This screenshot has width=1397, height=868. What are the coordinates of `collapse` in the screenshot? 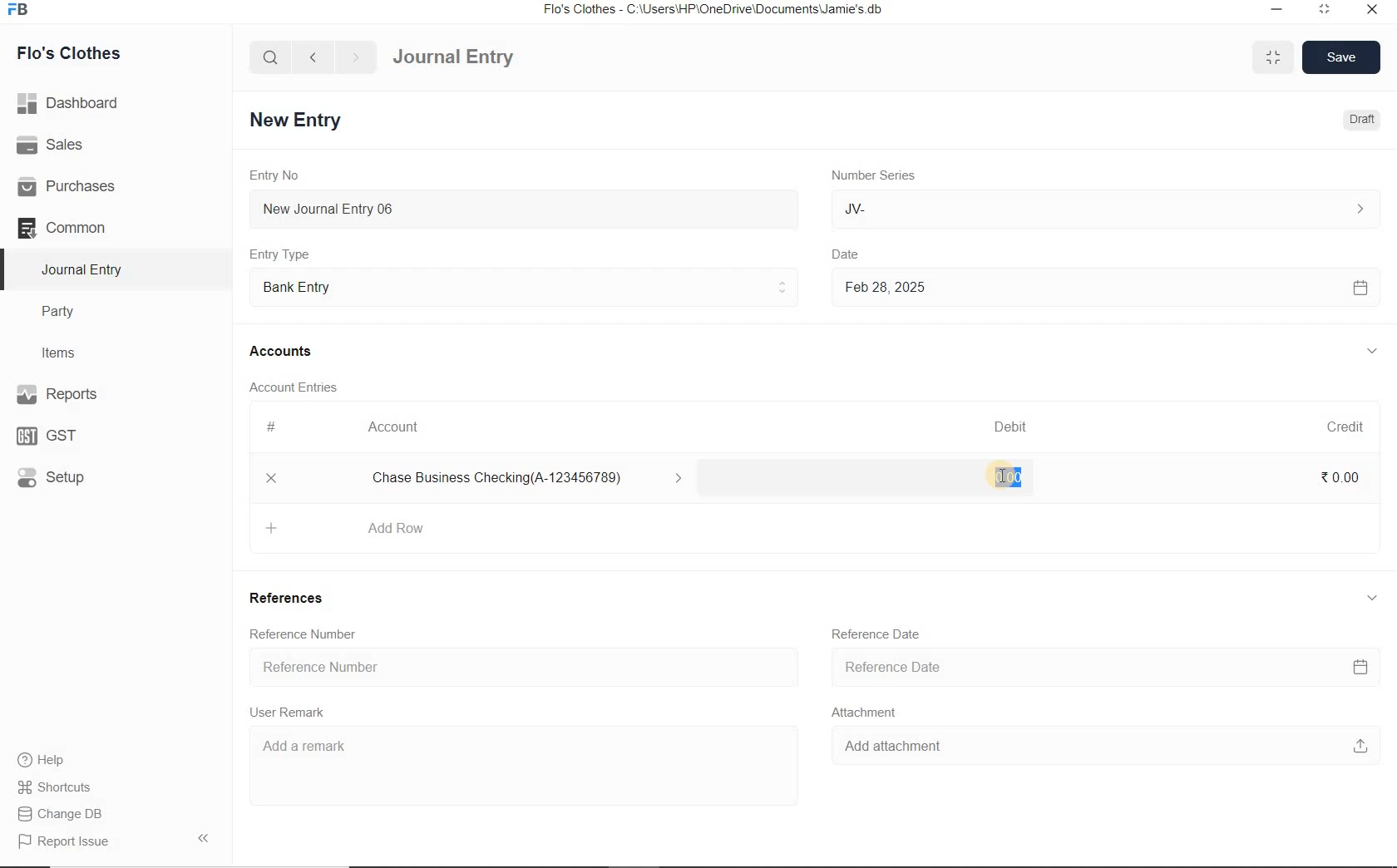 It's located at (1370, 595).